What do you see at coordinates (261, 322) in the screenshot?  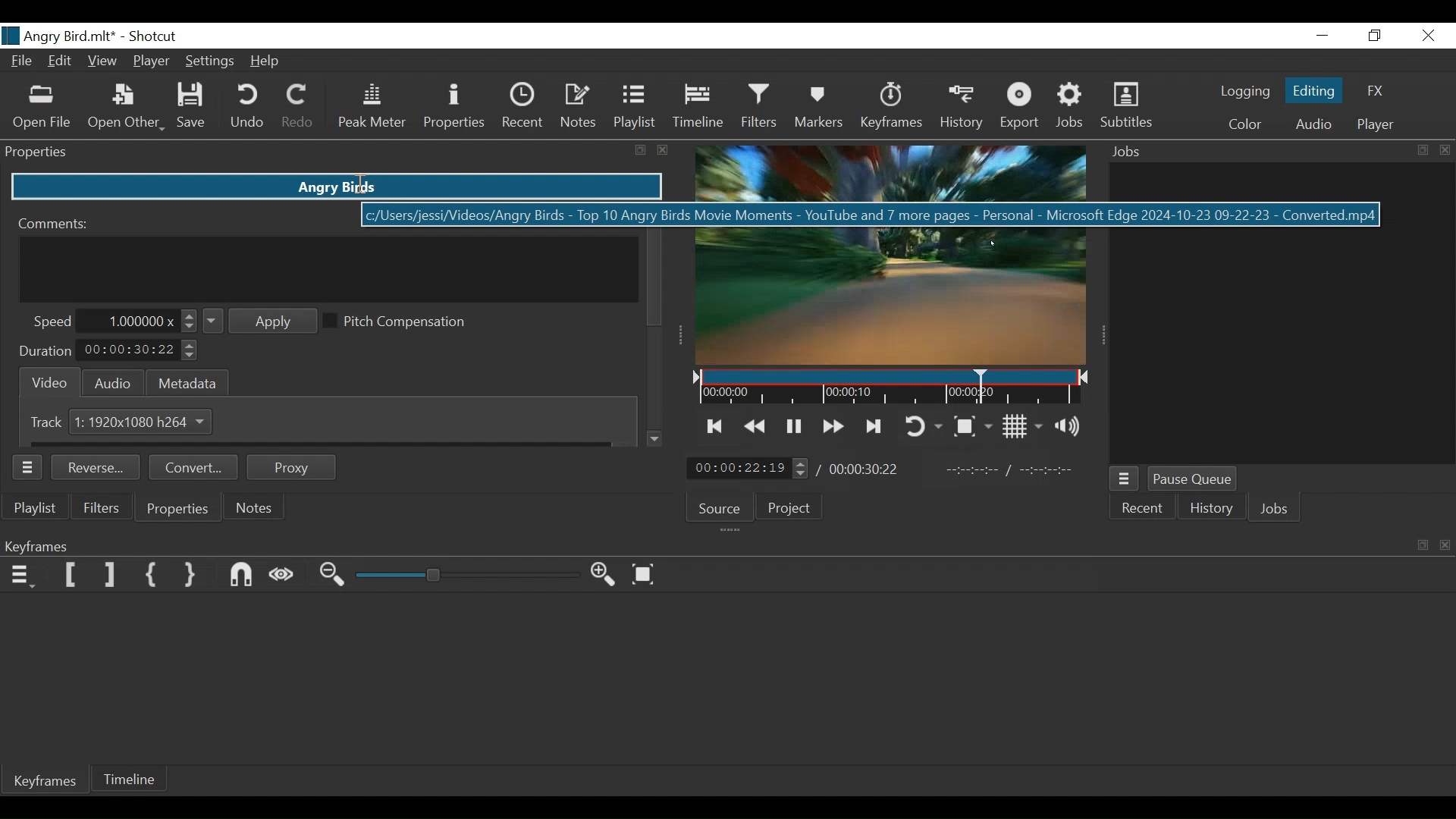 I see `Apply` at bounding box center [261, 322].